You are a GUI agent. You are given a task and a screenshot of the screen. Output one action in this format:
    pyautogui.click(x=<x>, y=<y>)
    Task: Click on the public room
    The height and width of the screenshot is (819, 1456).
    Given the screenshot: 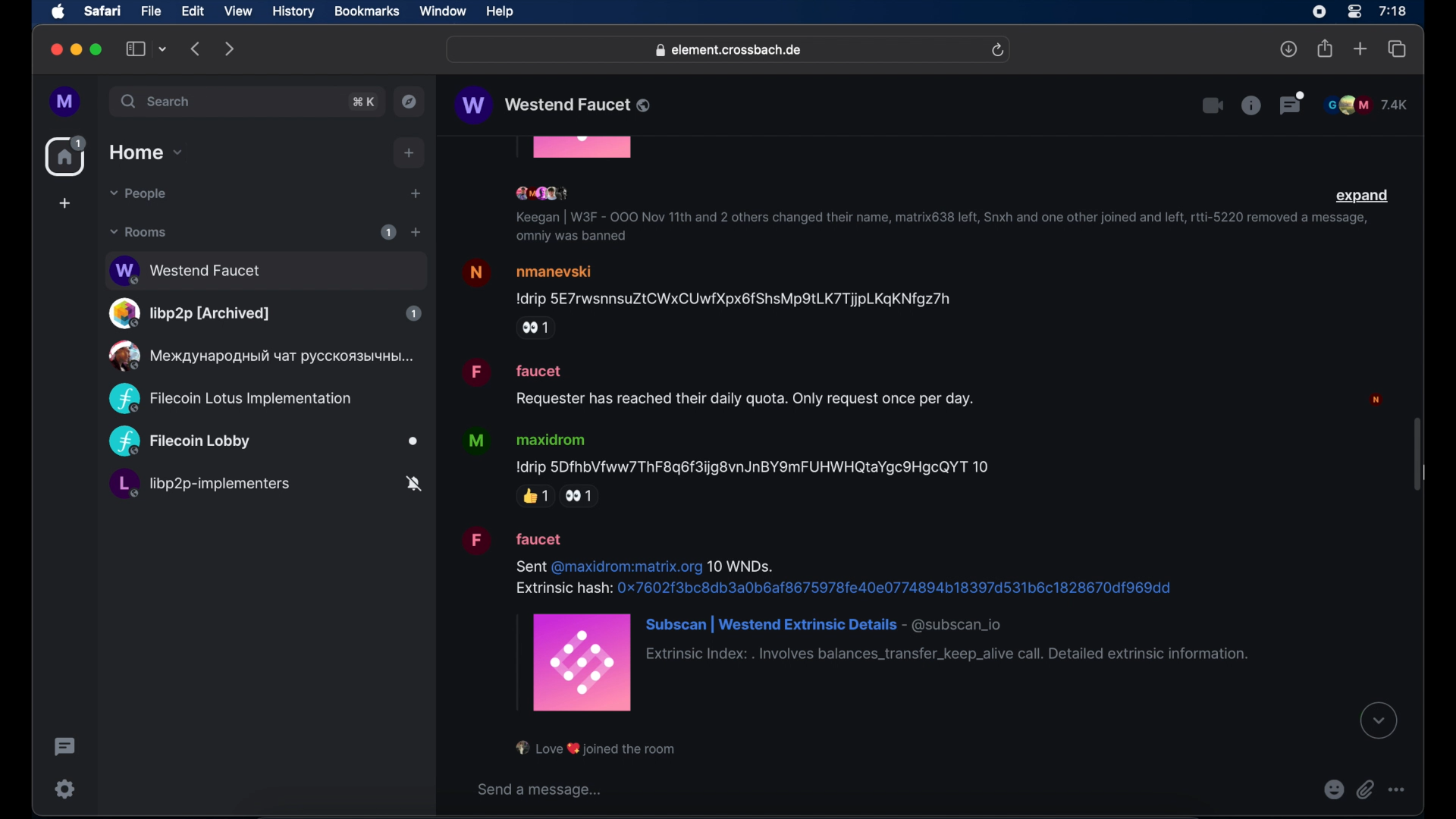 What is the action you would take?
    pyautogui.click(x=264, y=442)
    